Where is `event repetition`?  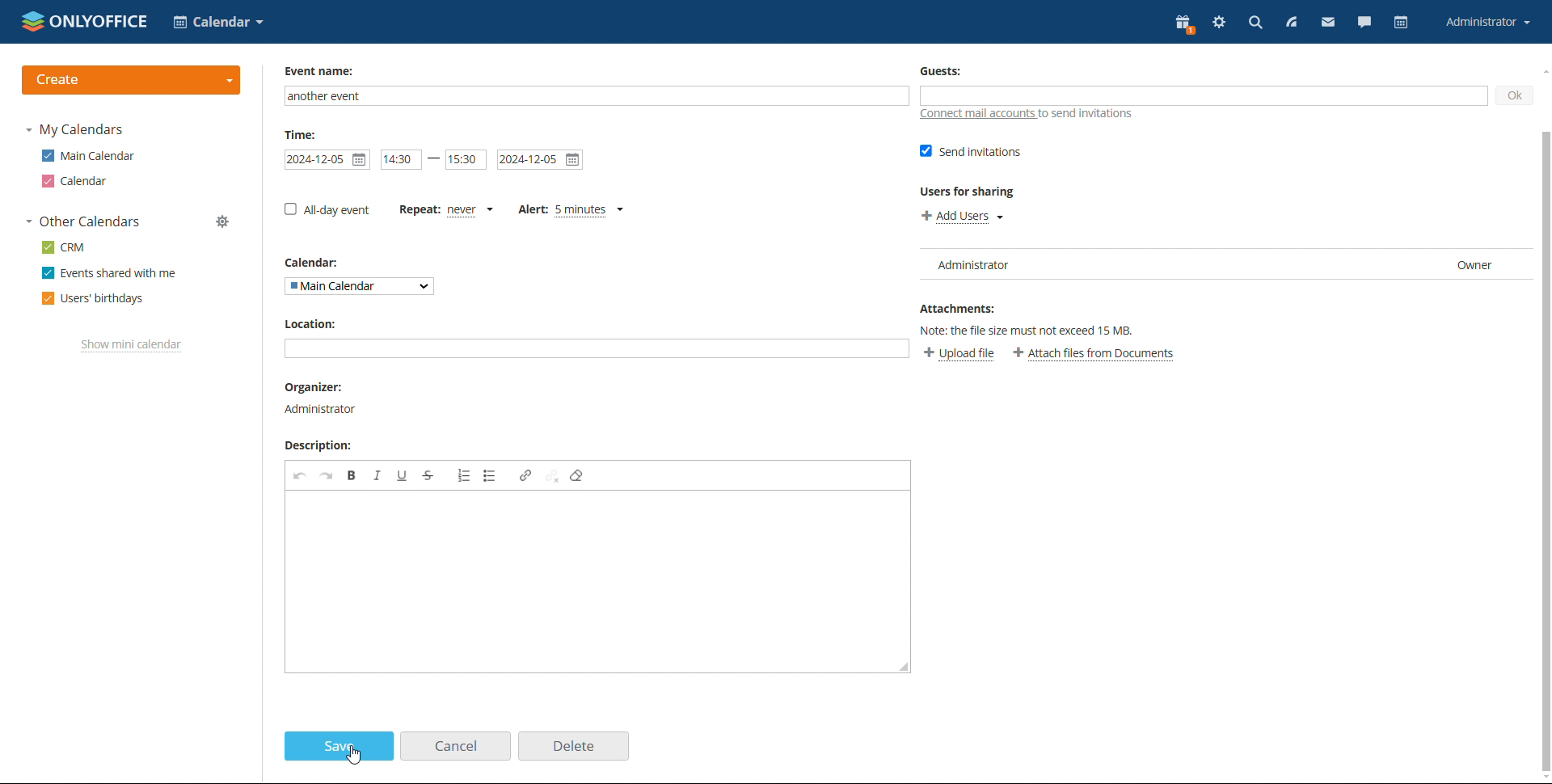 event repetition is located at coordinates (447, 209).